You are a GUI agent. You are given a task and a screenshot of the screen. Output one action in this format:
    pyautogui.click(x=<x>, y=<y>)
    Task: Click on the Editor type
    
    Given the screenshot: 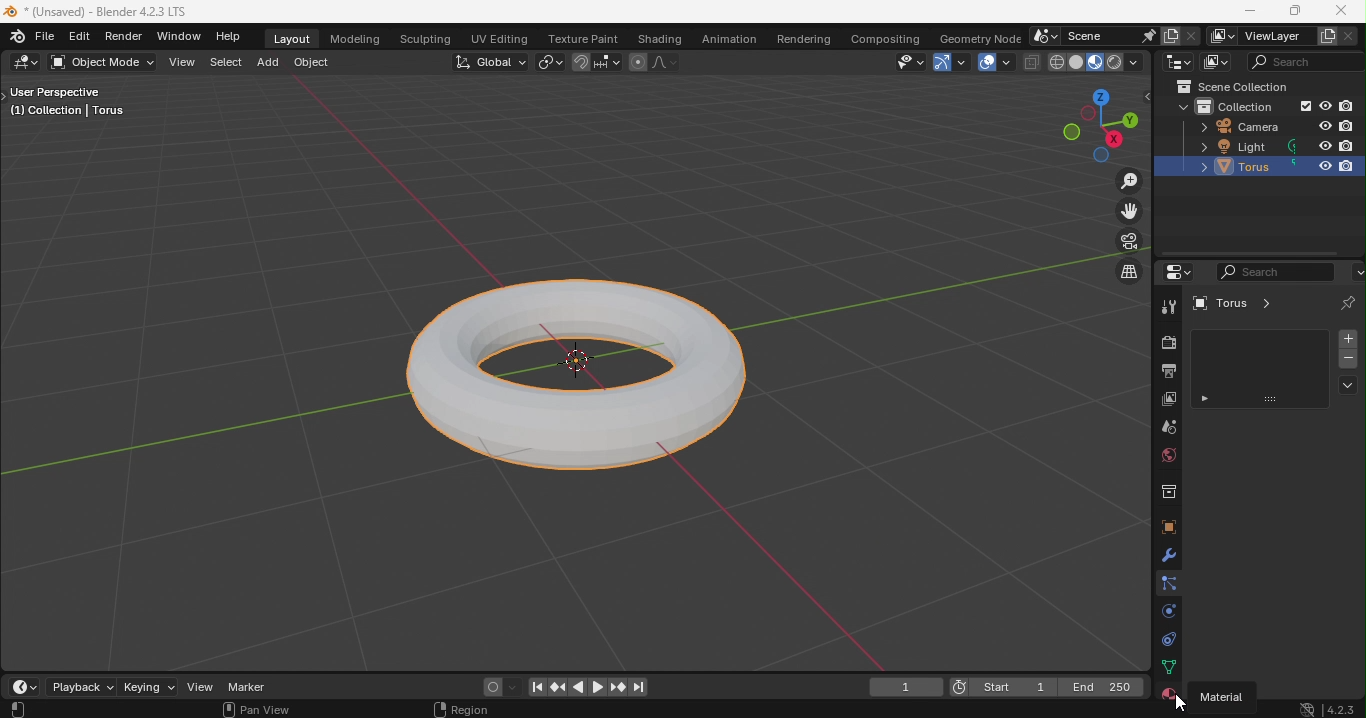 What is the action you would take?
    pyautogui.click(x=28, y=63)
    